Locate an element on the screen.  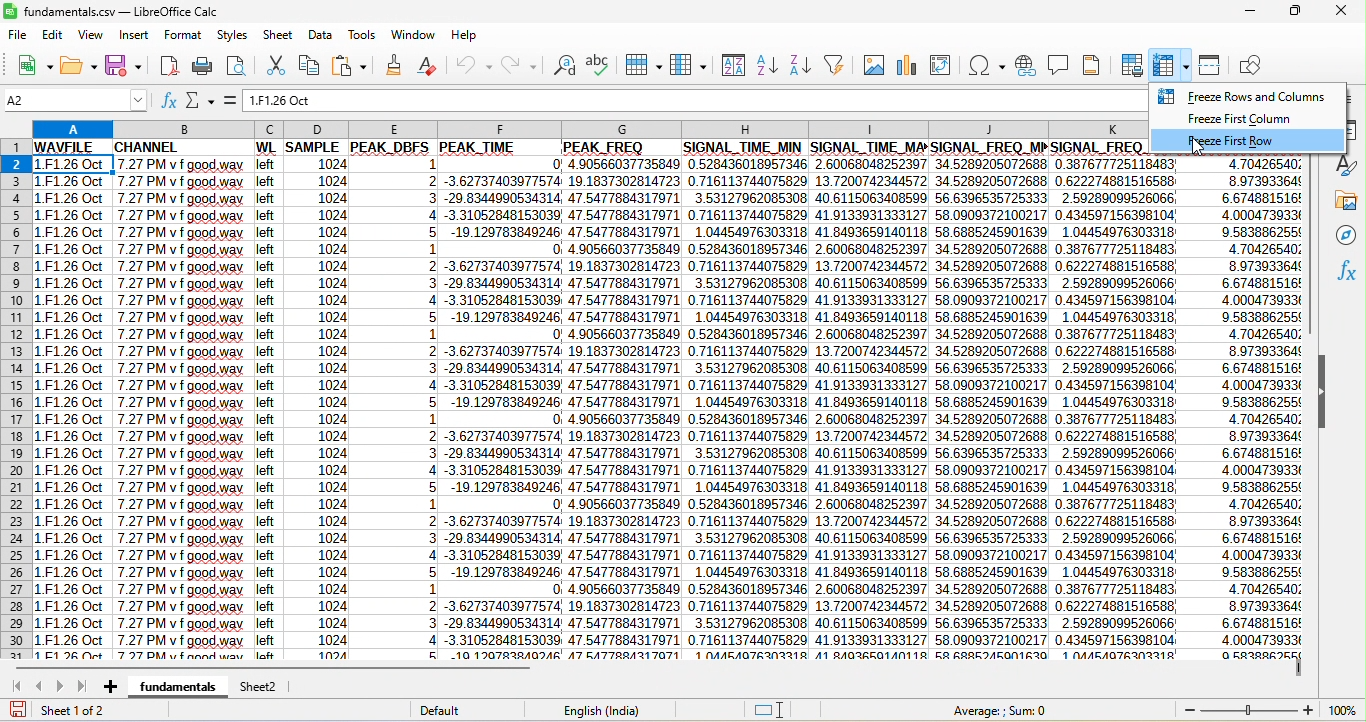
sort ascending is located at coordinates (769, 66).